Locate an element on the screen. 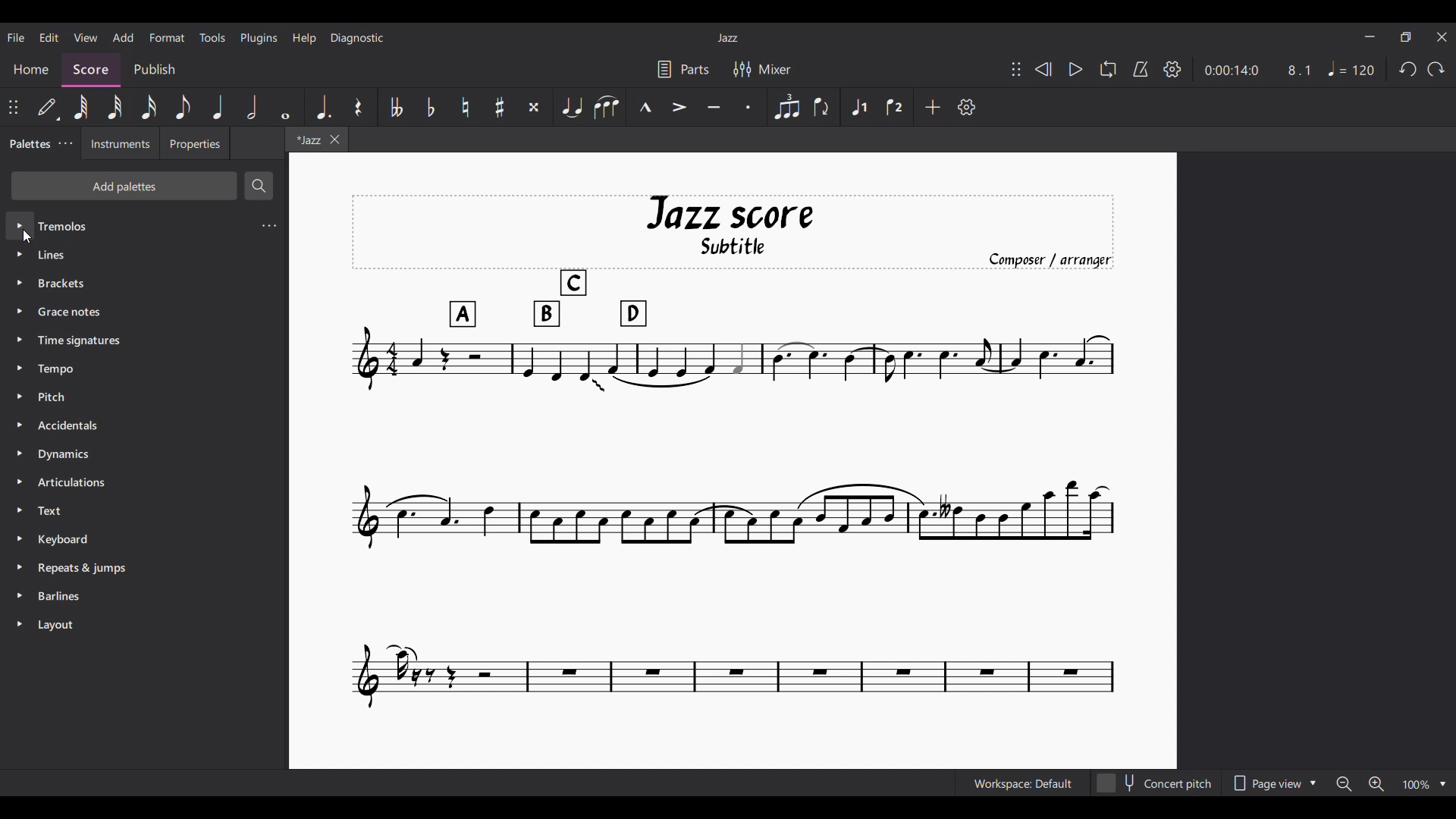  Cursor is located at coordinates (28, 237).